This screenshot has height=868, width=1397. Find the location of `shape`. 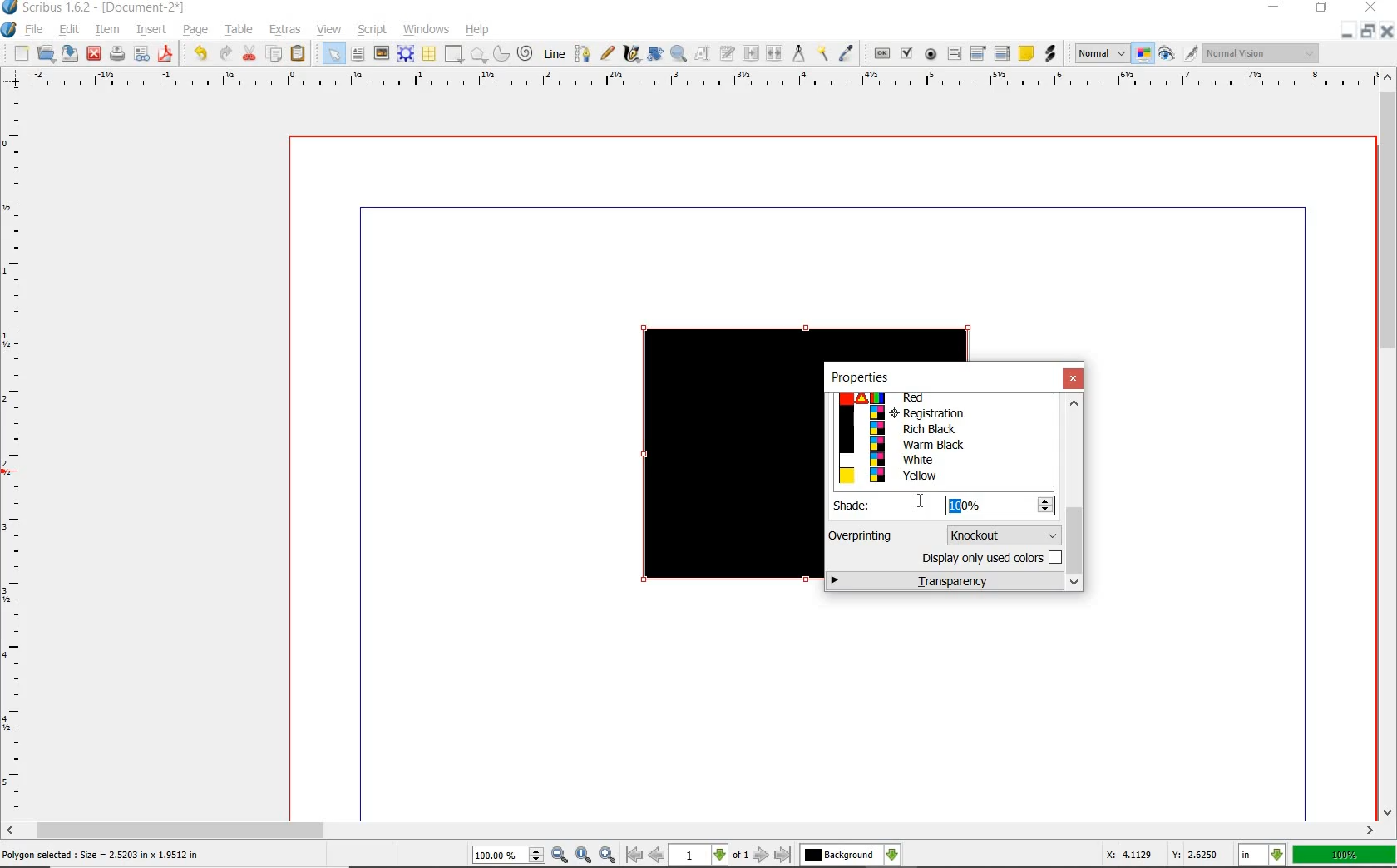

shape is located at coordinates (454, 53).